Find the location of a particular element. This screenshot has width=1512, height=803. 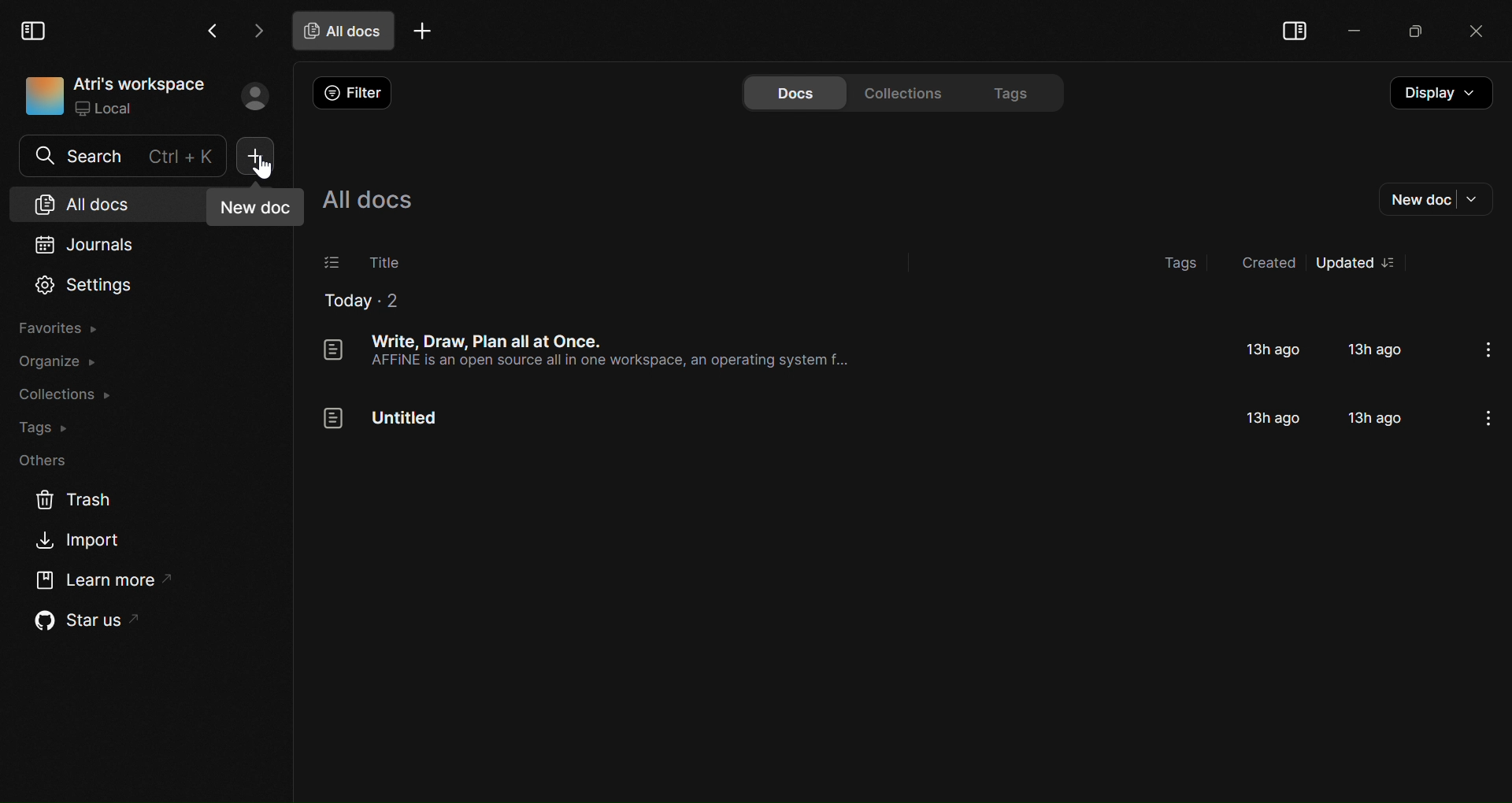

Favorites is located at coordinates (68, 328).